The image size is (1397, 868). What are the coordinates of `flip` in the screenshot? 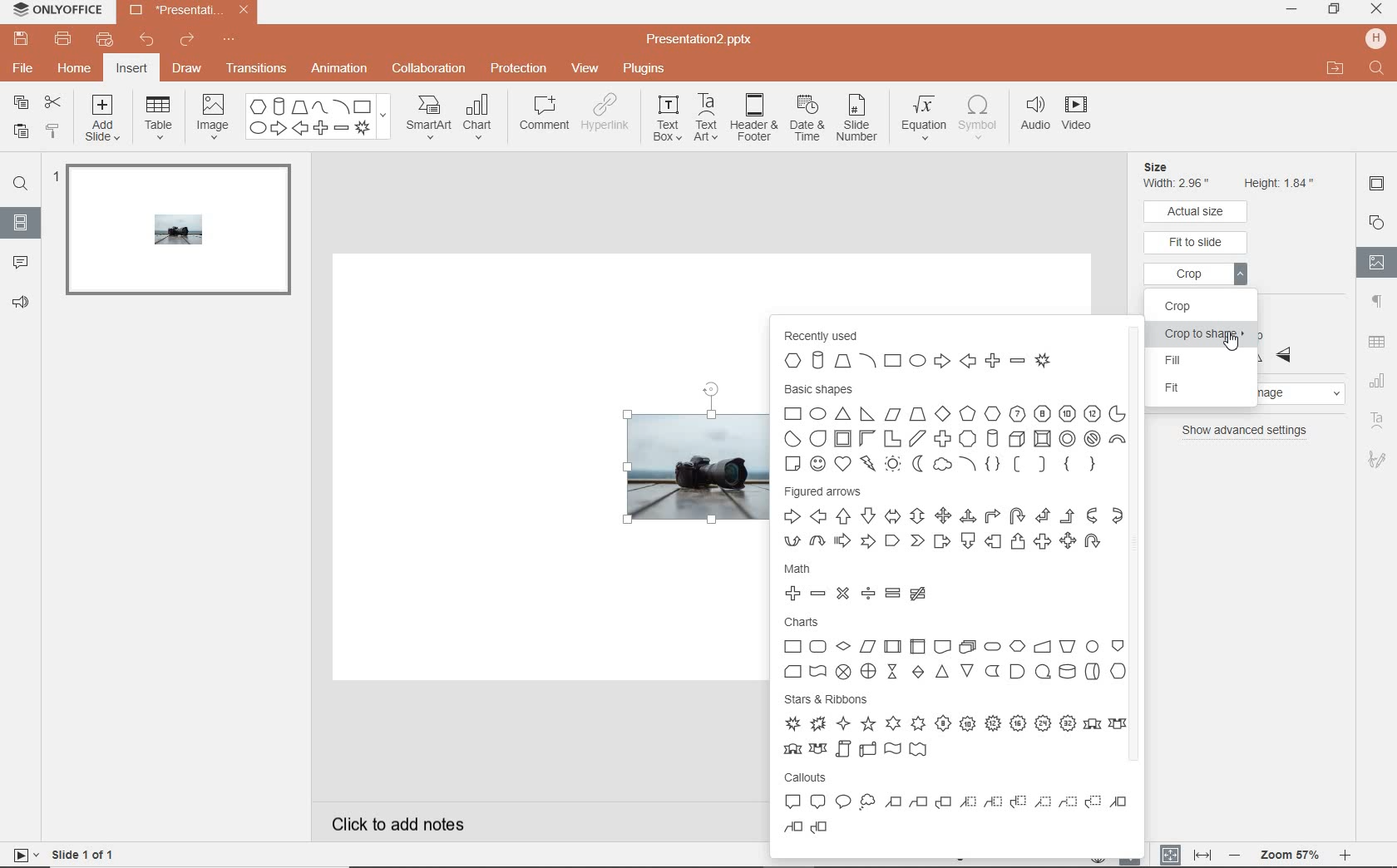 It's located at (1288, 343).